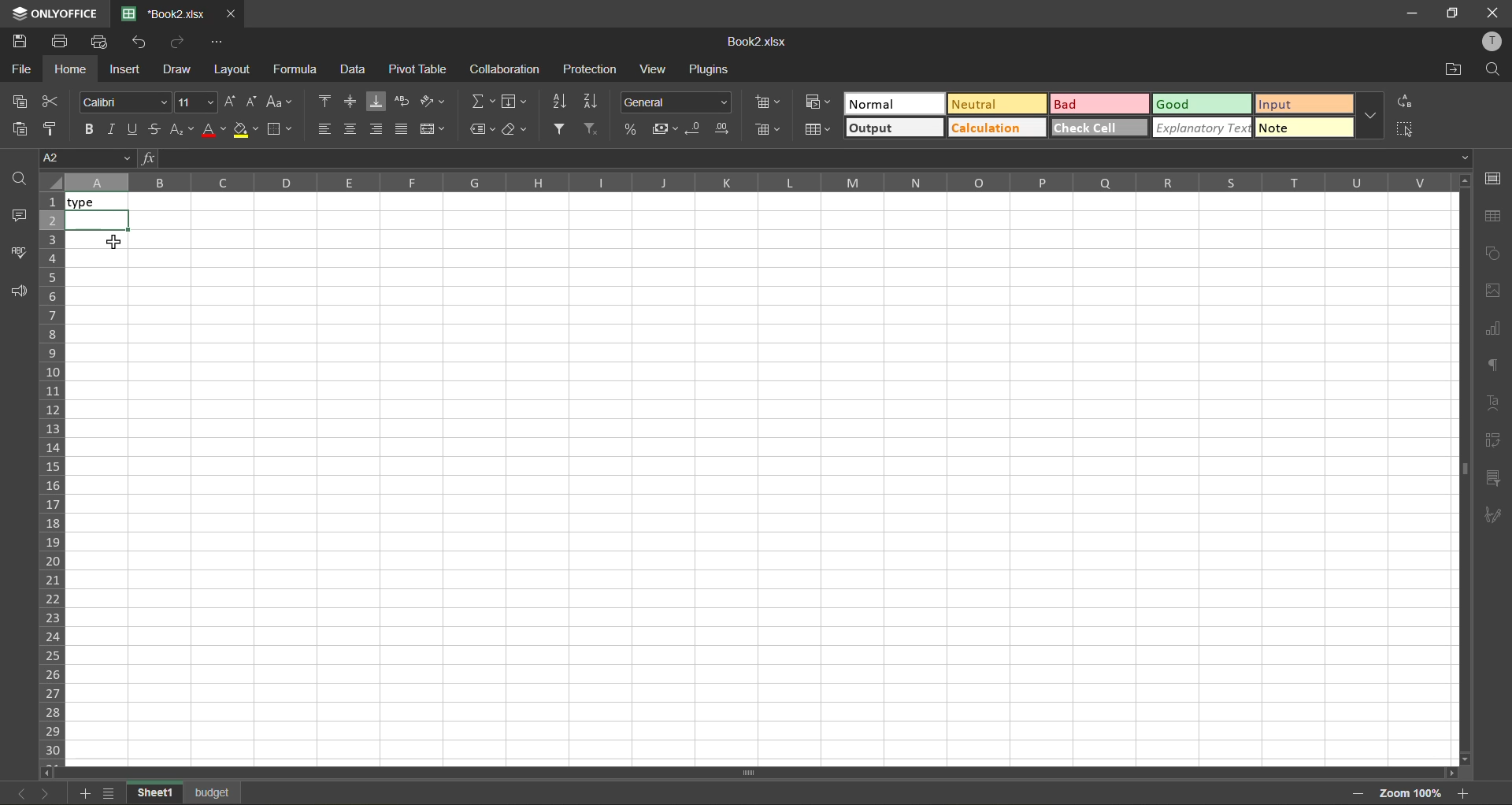 The width and height of the screenshot is (1512, 805). What do you see at coordinates (283, 102) in the screenshot?
I see `change case` at bounding box center [283, 102].